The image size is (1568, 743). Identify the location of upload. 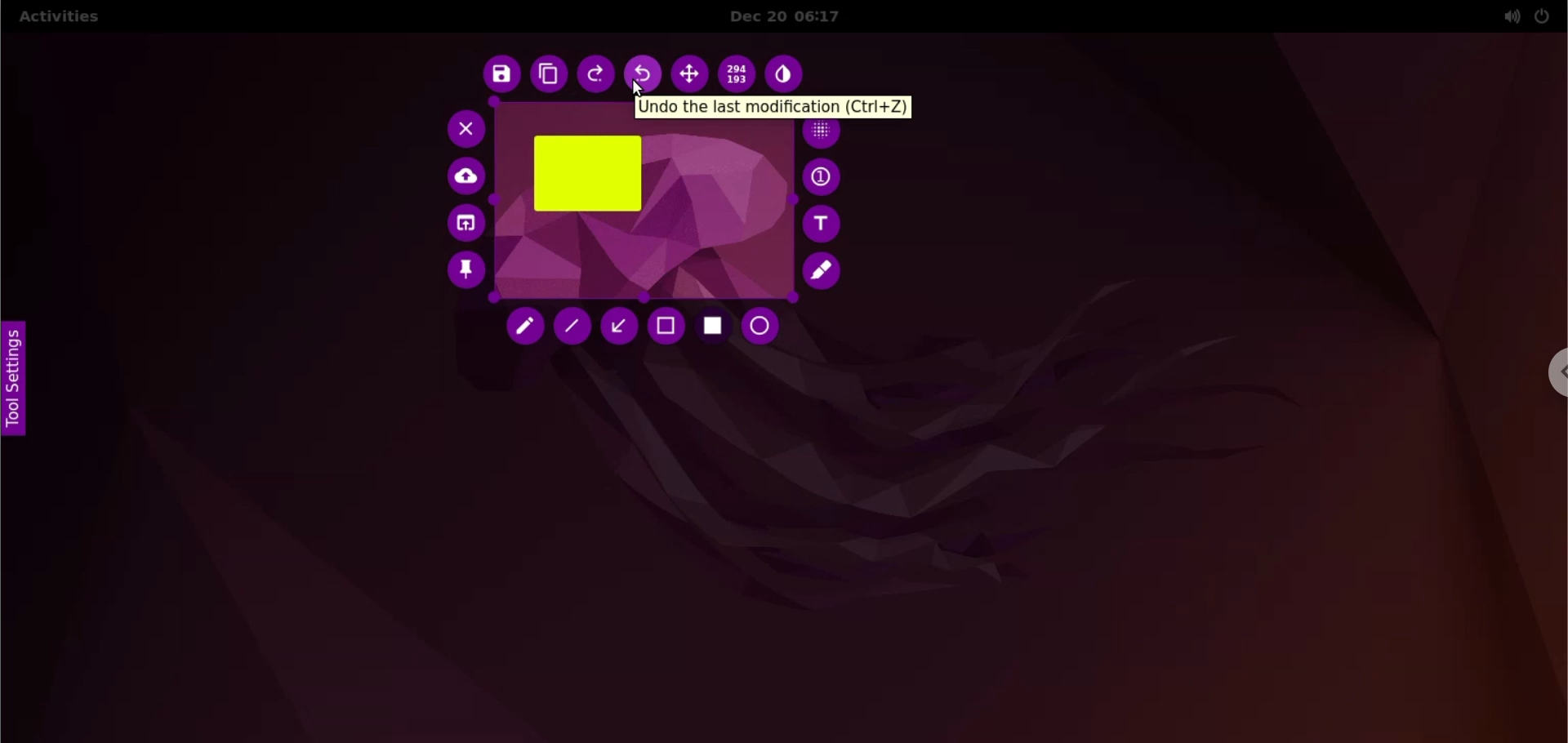
(468, 177).